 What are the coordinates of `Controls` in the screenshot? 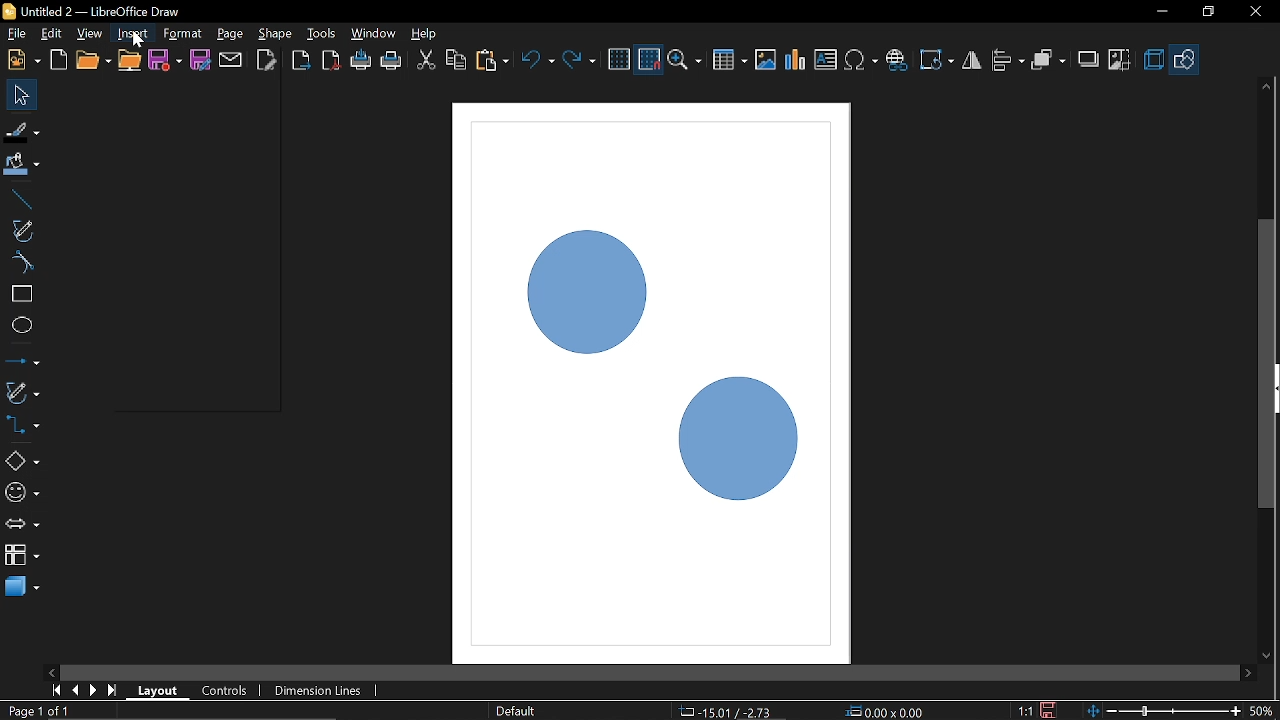 It's located at (224, 692).